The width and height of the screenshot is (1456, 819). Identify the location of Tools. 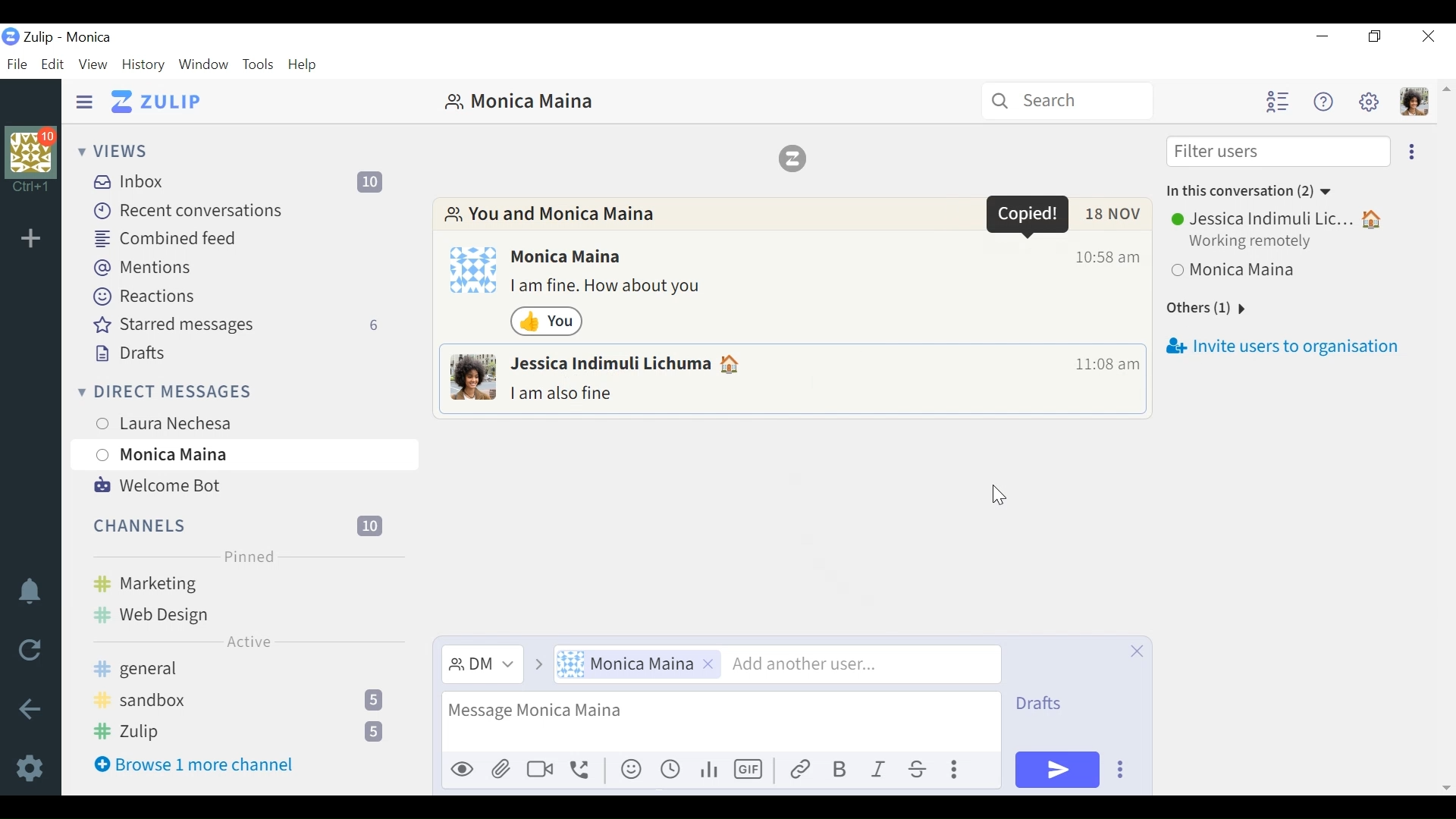
(260, 65).